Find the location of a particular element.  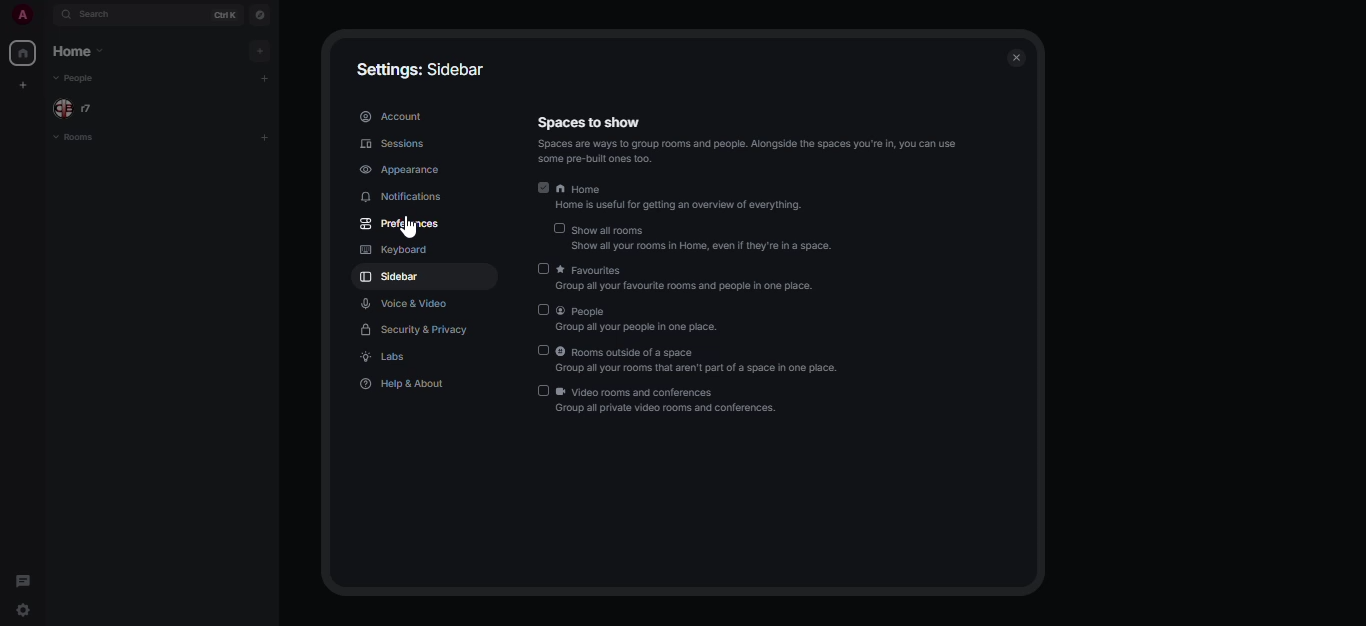

preferences is located at coordinates (402, 222).